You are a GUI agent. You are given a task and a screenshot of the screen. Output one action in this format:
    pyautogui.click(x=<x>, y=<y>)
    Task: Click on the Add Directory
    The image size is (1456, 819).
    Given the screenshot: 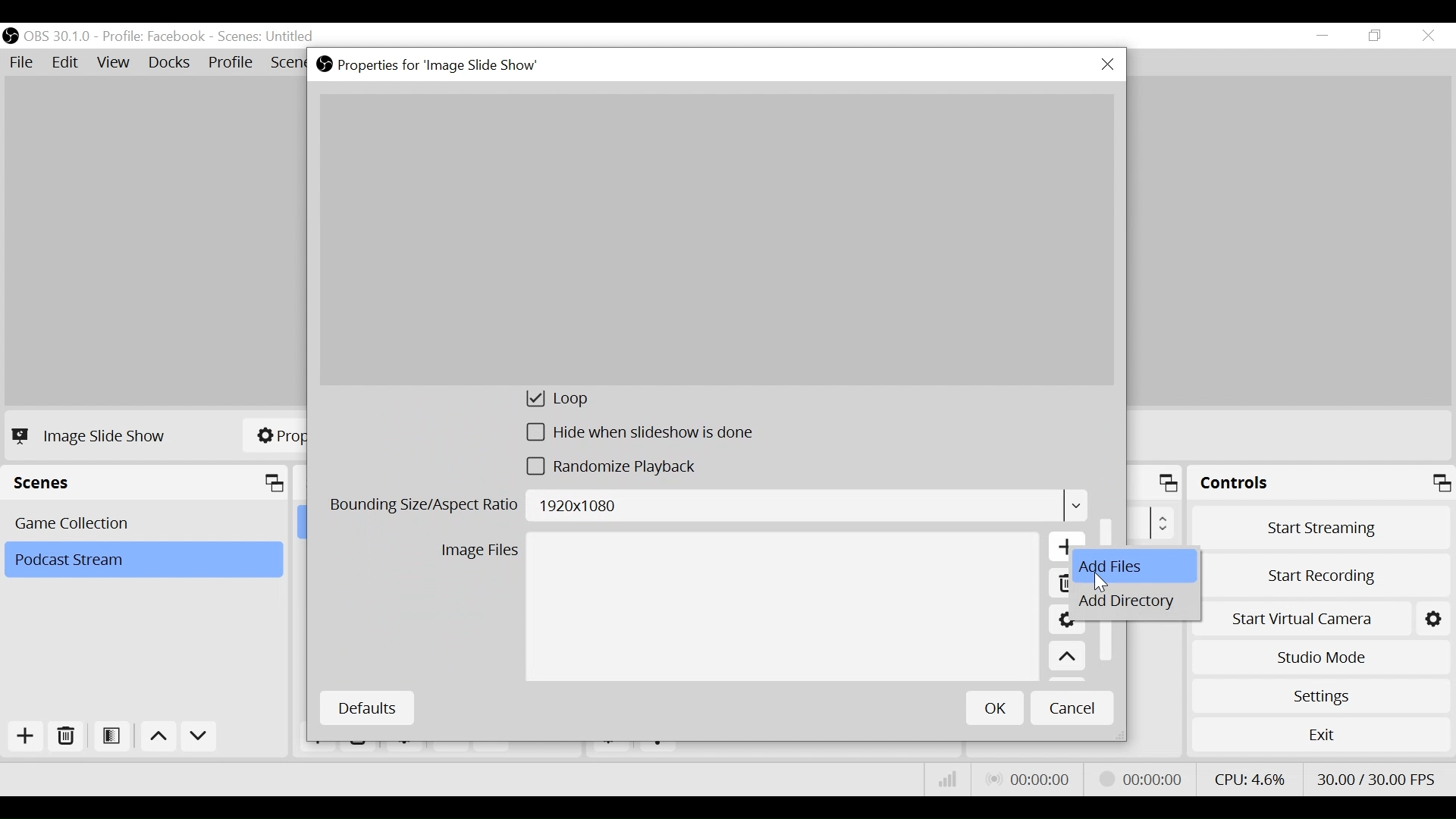 What is the action you would take?
    pyautogui.click(x=1135, y=604)
    